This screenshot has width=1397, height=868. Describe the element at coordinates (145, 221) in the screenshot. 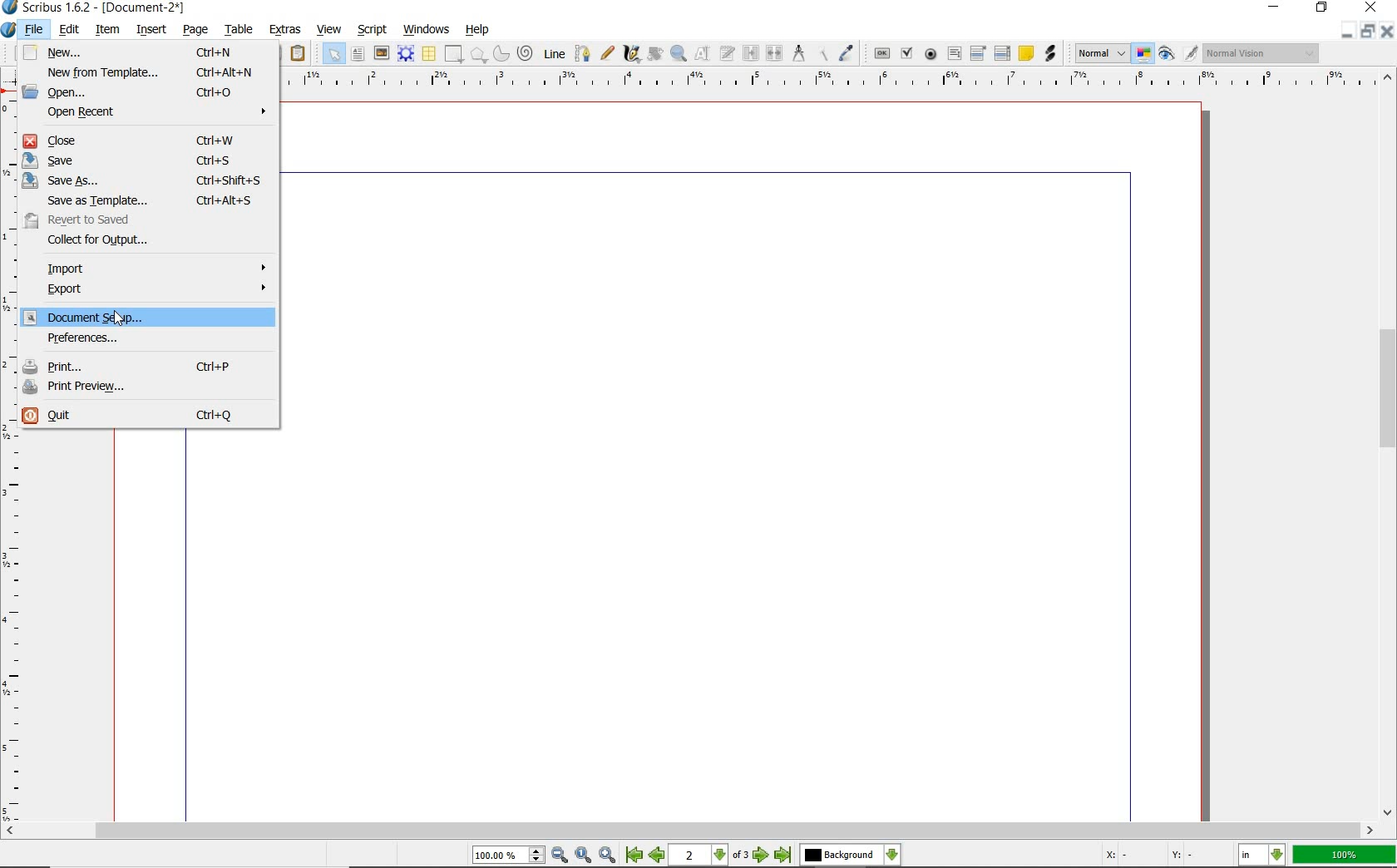

I see `revert to send` at that location.